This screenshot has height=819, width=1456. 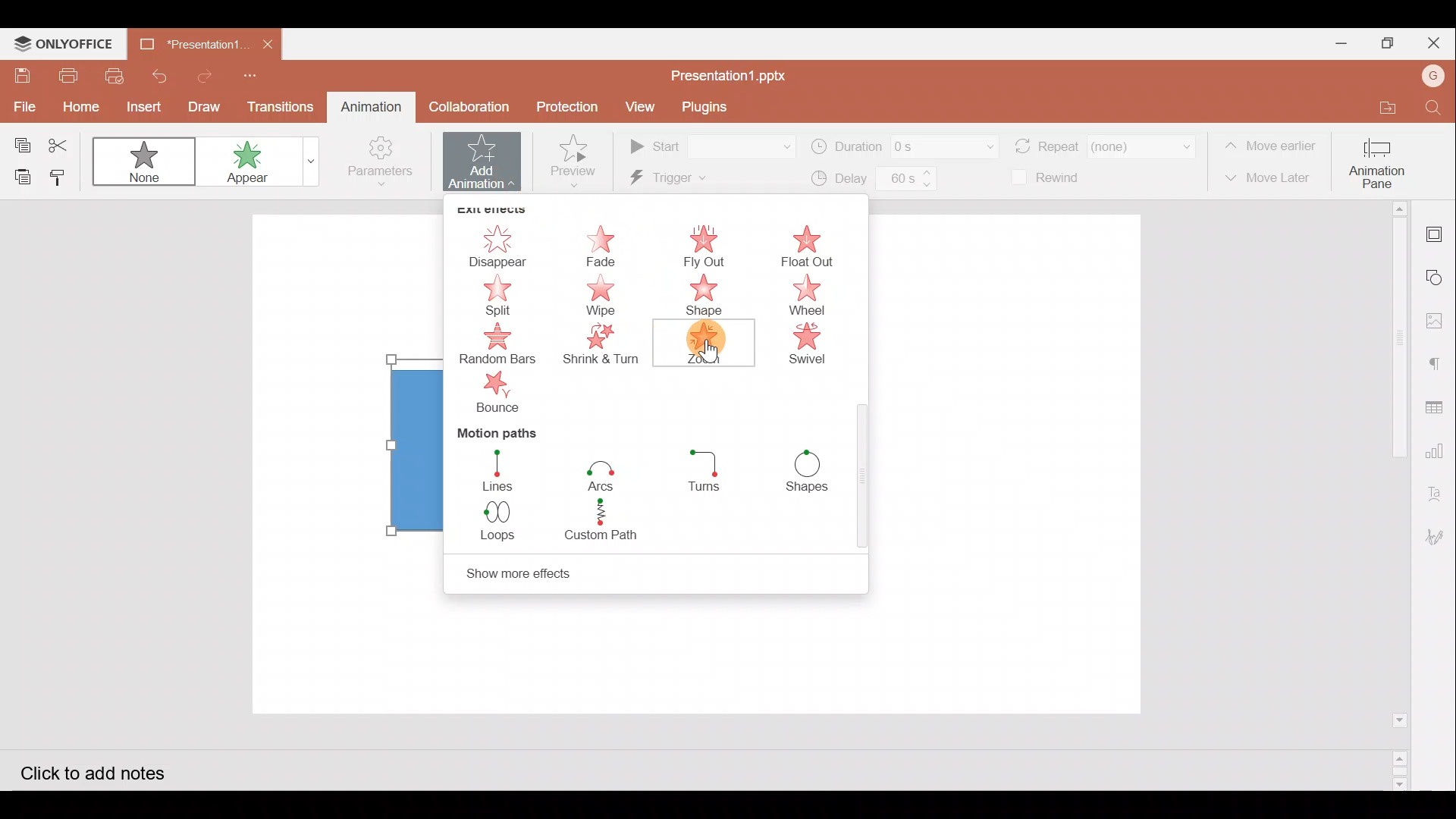 What do you see at coordinates (245, 162) in the screenshot?
I see `Appear` at bounding box center [245, 162].